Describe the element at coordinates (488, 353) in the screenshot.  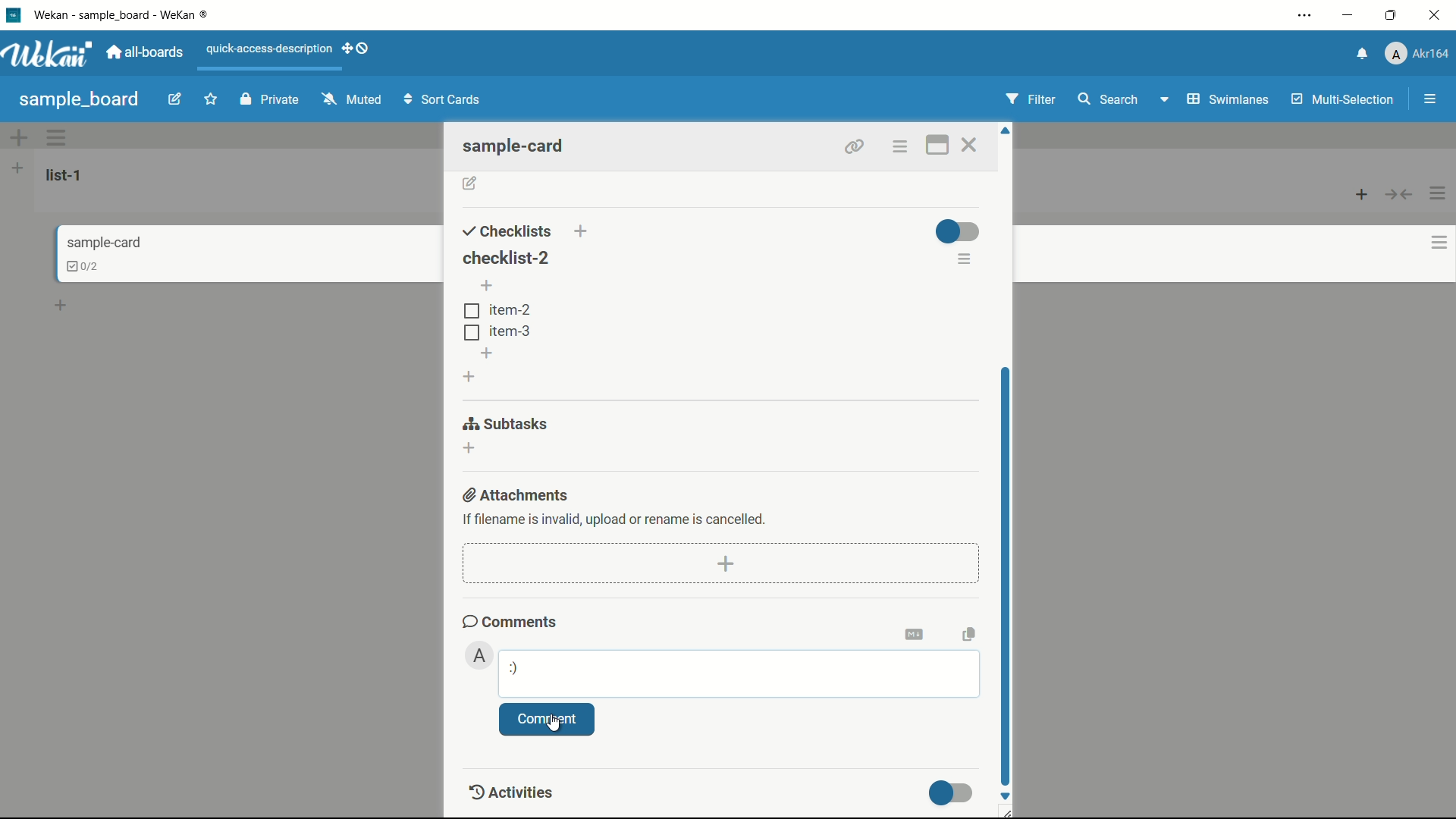
I see `add item` at that location.